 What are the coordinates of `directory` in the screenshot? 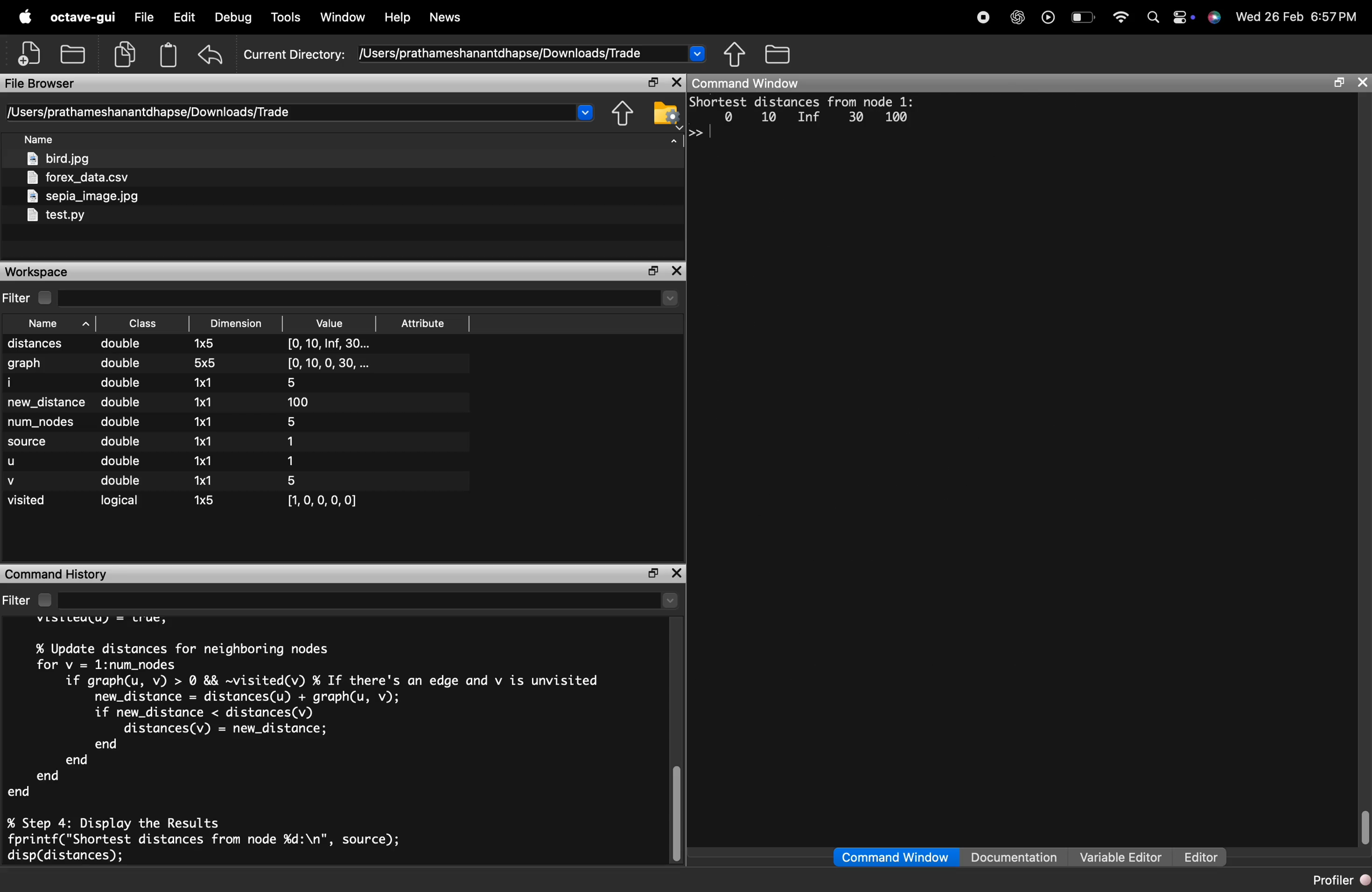 It's located at (301, 113).